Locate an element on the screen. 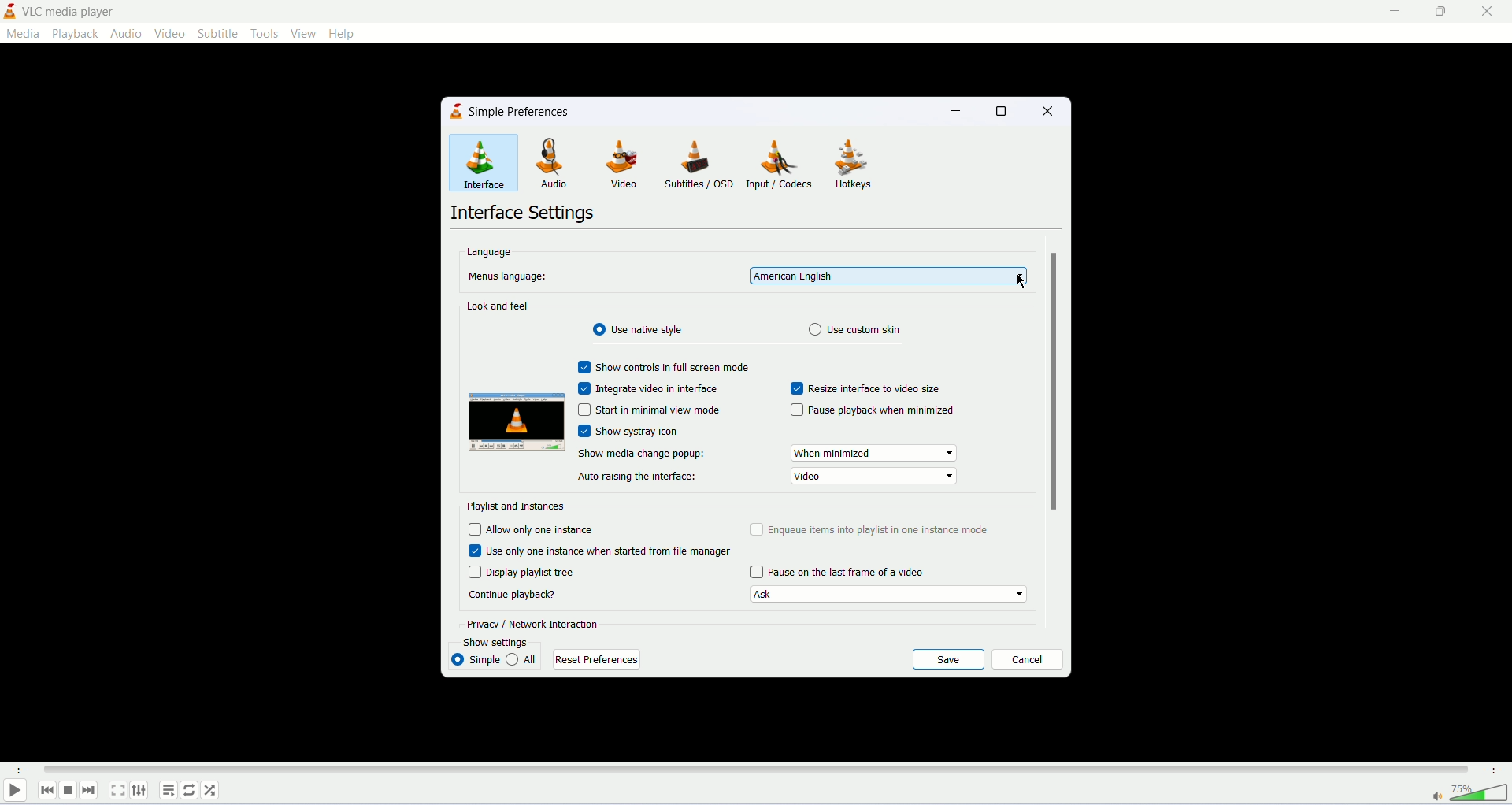 The height and width of the screenshot is (805, 1512). image preview is located at coordinates (516, 422).